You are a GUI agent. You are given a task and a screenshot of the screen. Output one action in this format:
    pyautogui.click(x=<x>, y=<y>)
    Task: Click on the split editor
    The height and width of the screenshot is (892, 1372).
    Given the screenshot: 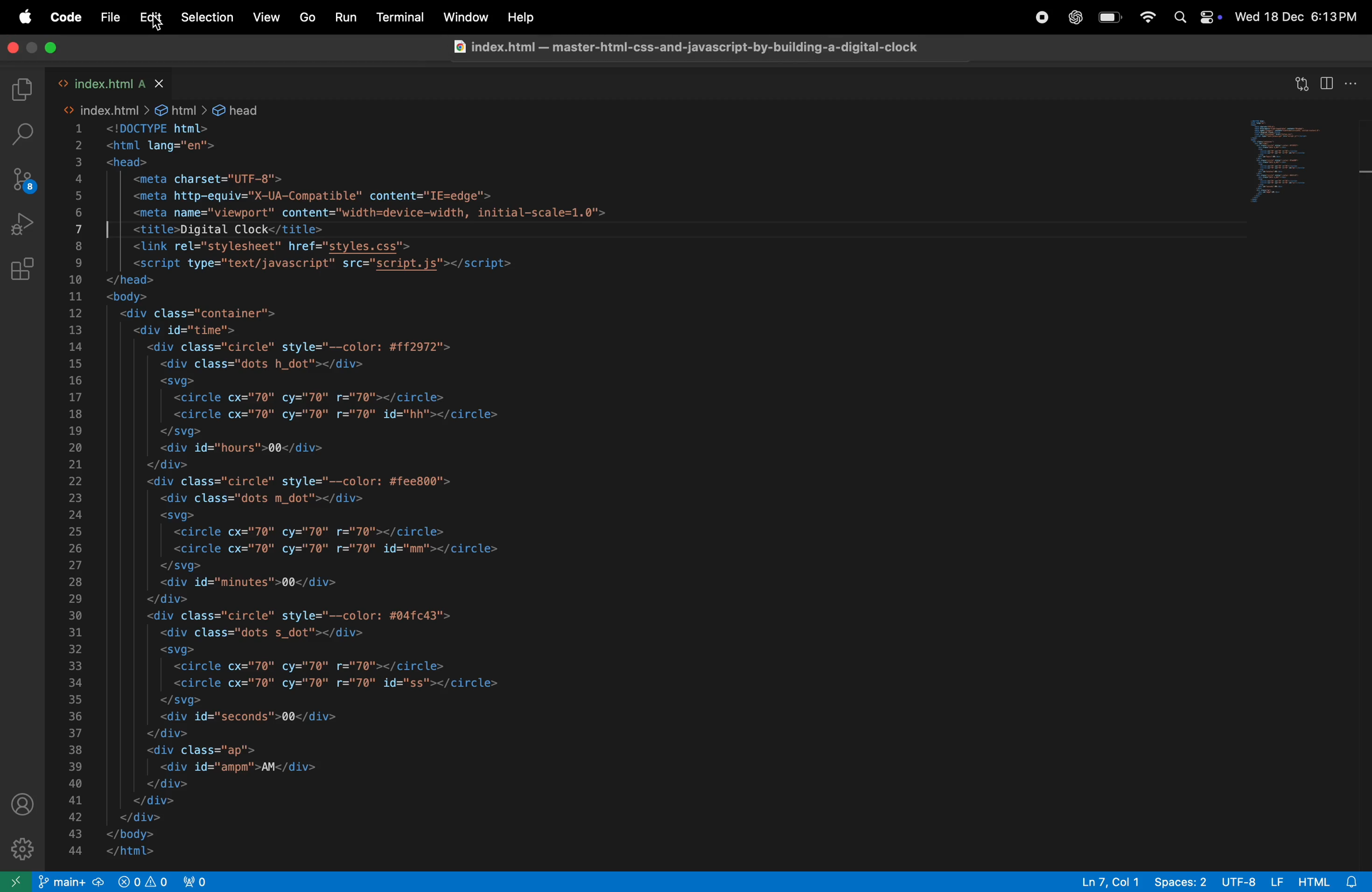 What is the action you would take?
    pyautogui.click(x=1327, y=84)
    